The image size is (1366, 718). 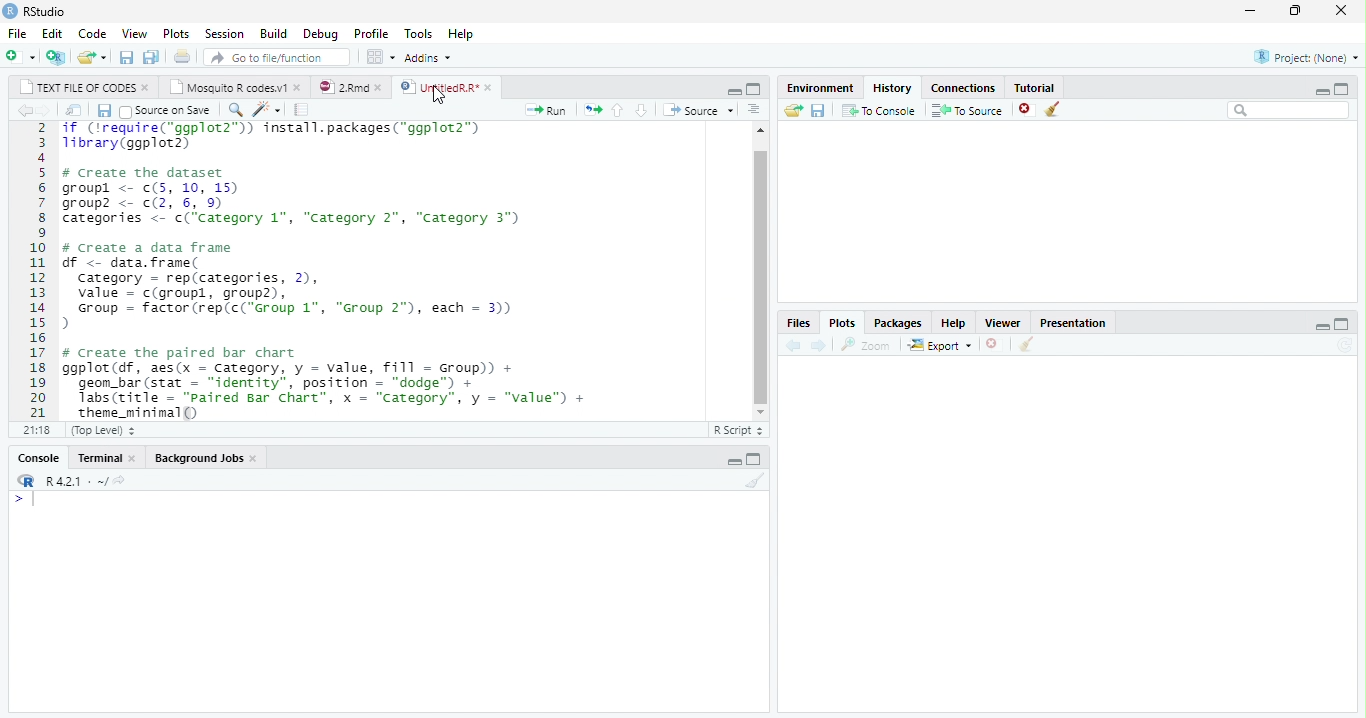 What do you see at coordinates (798, 322) in the screenshot?
I see `files` at bounding box center [798, 322].